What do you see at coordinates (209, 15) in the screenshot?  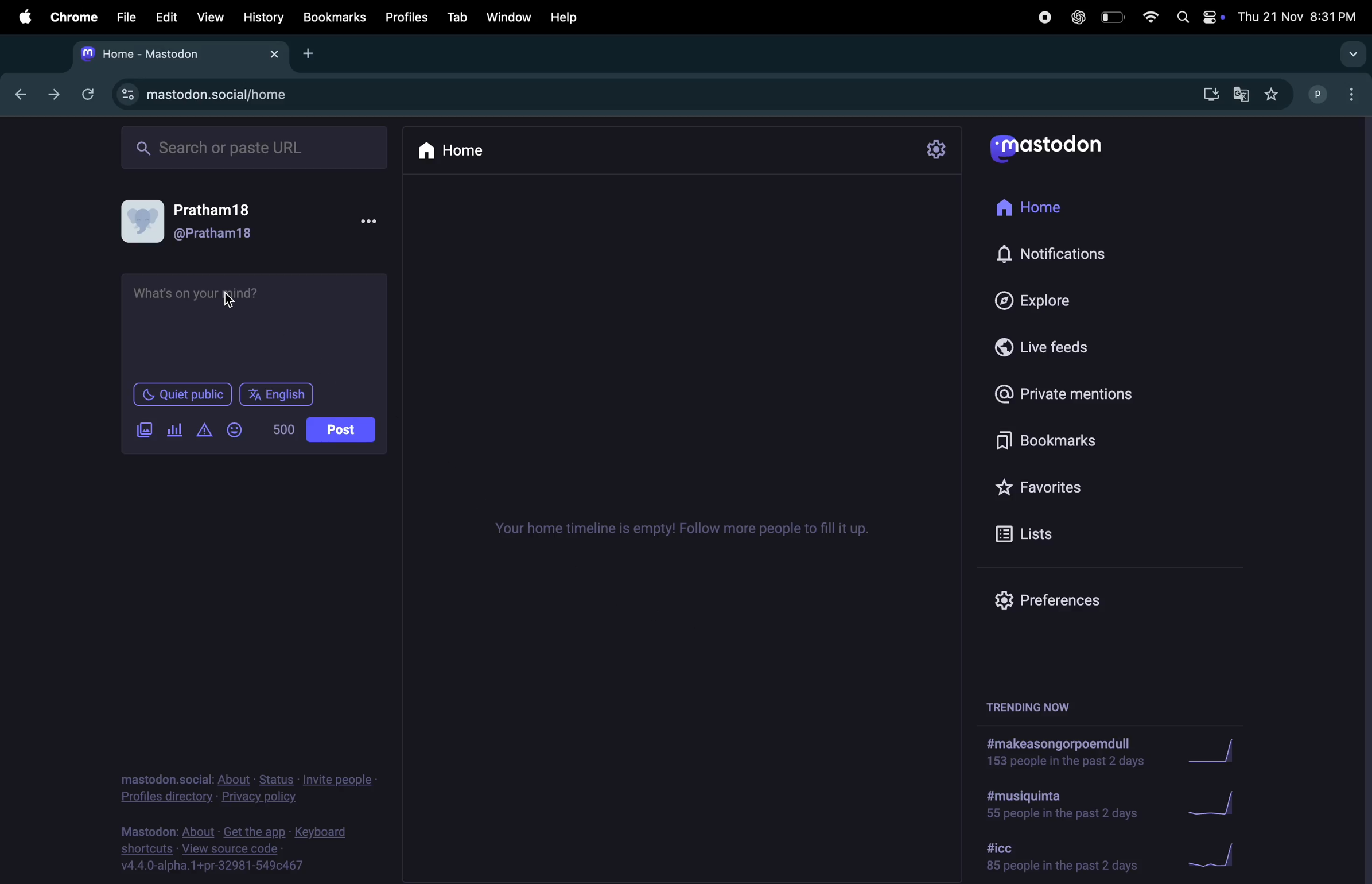 I see `view` at bounding box center [209, 15].